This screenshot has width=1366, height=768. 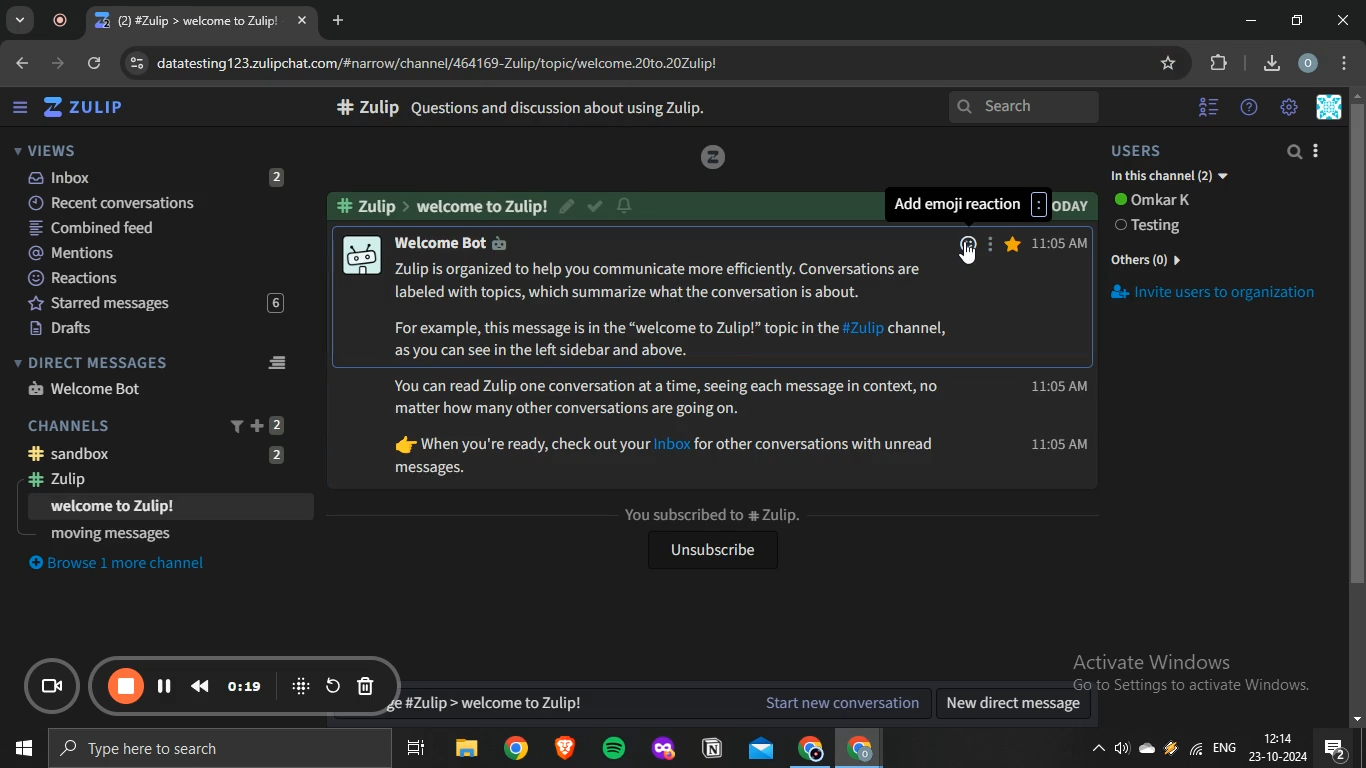 What do you see at coordinates (1153, 151) in the screenshot?
I see `users` at bounding box center [1153, 151].